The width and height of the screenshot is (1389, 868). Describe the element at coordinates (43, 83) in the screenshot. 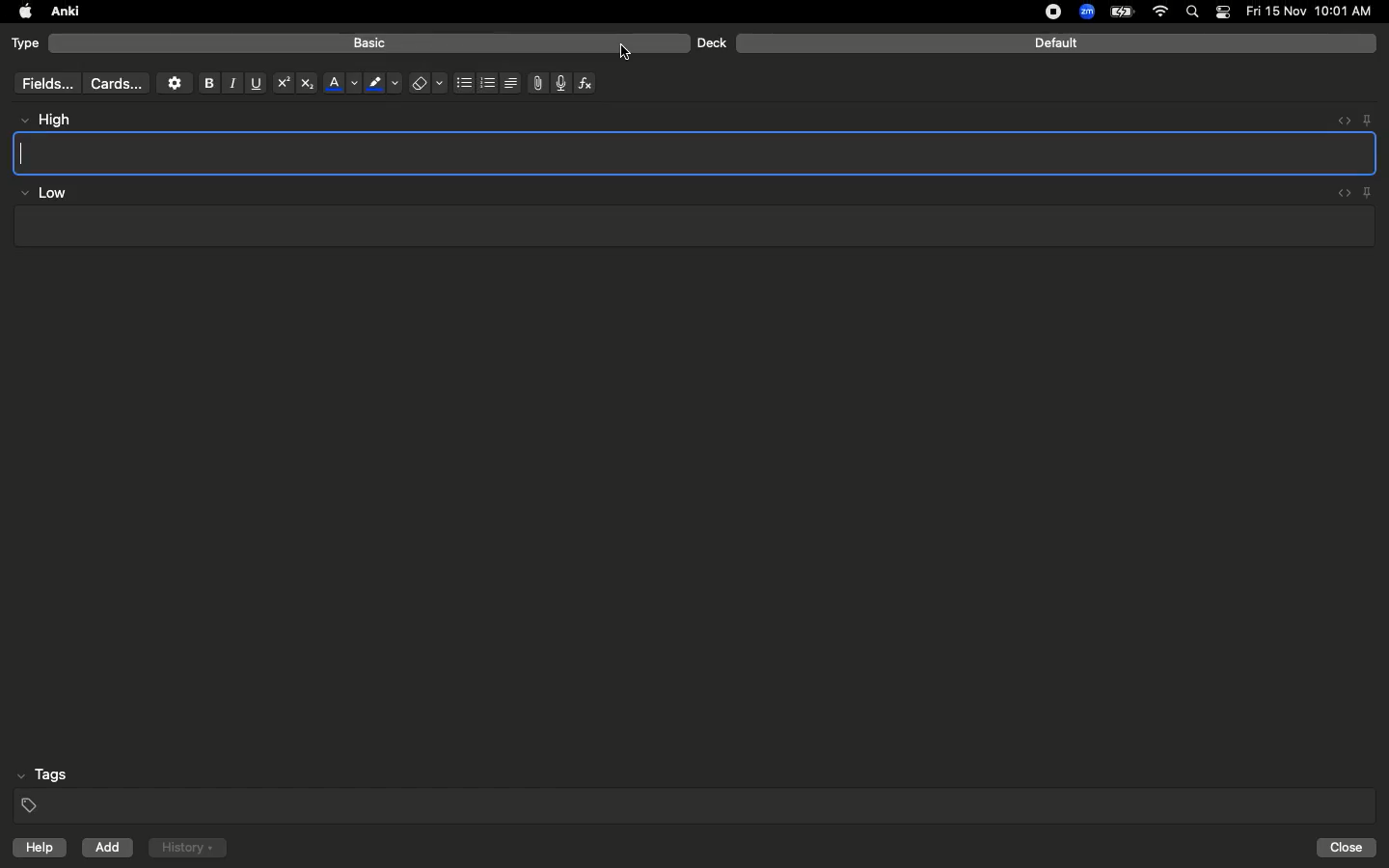

I see `Fields` at that location.